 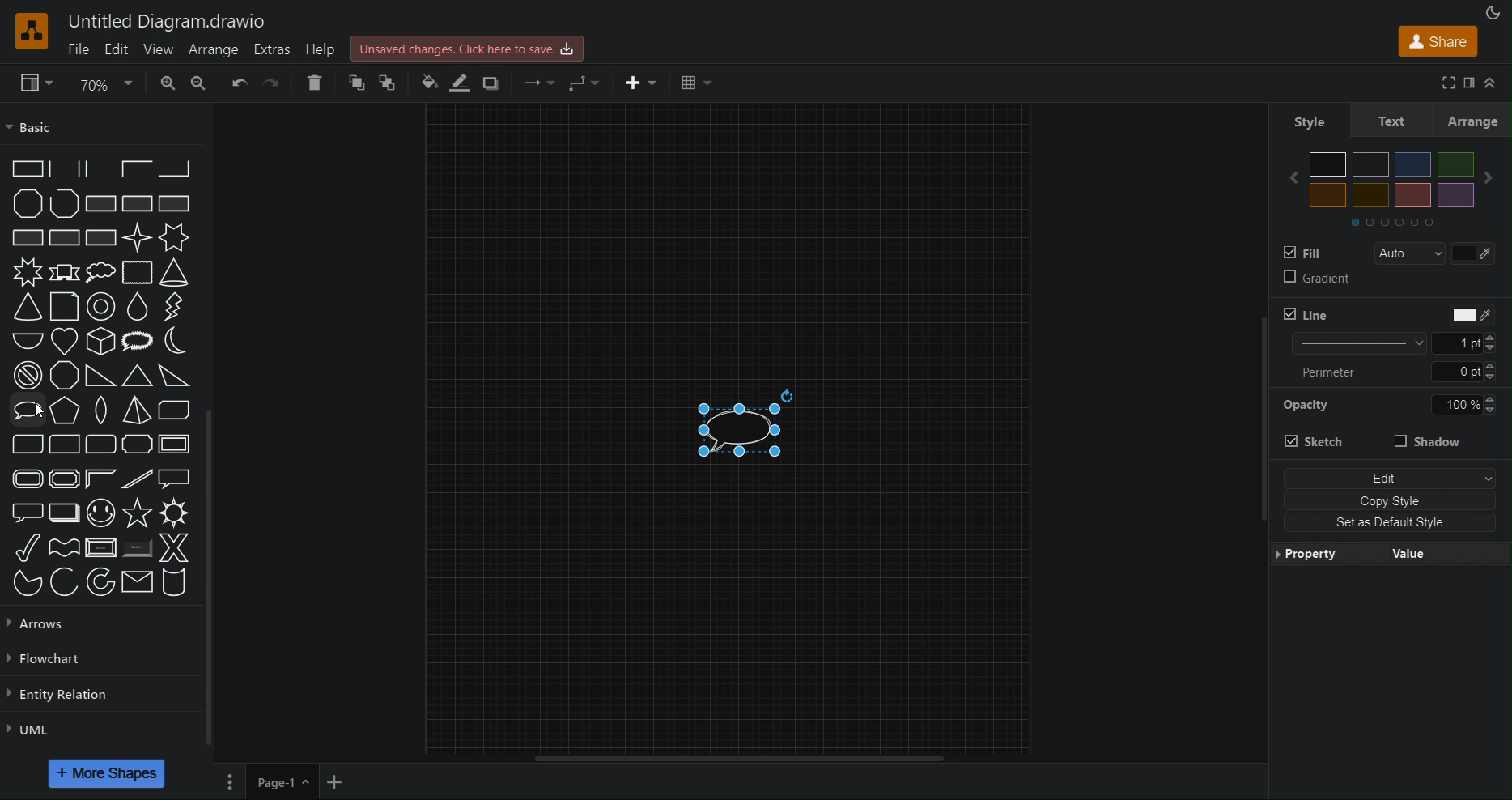 What do you see at coordinates (136, 169) in the screenshot?
I see `Partial Rectangle` at bounding box center [136, 169].